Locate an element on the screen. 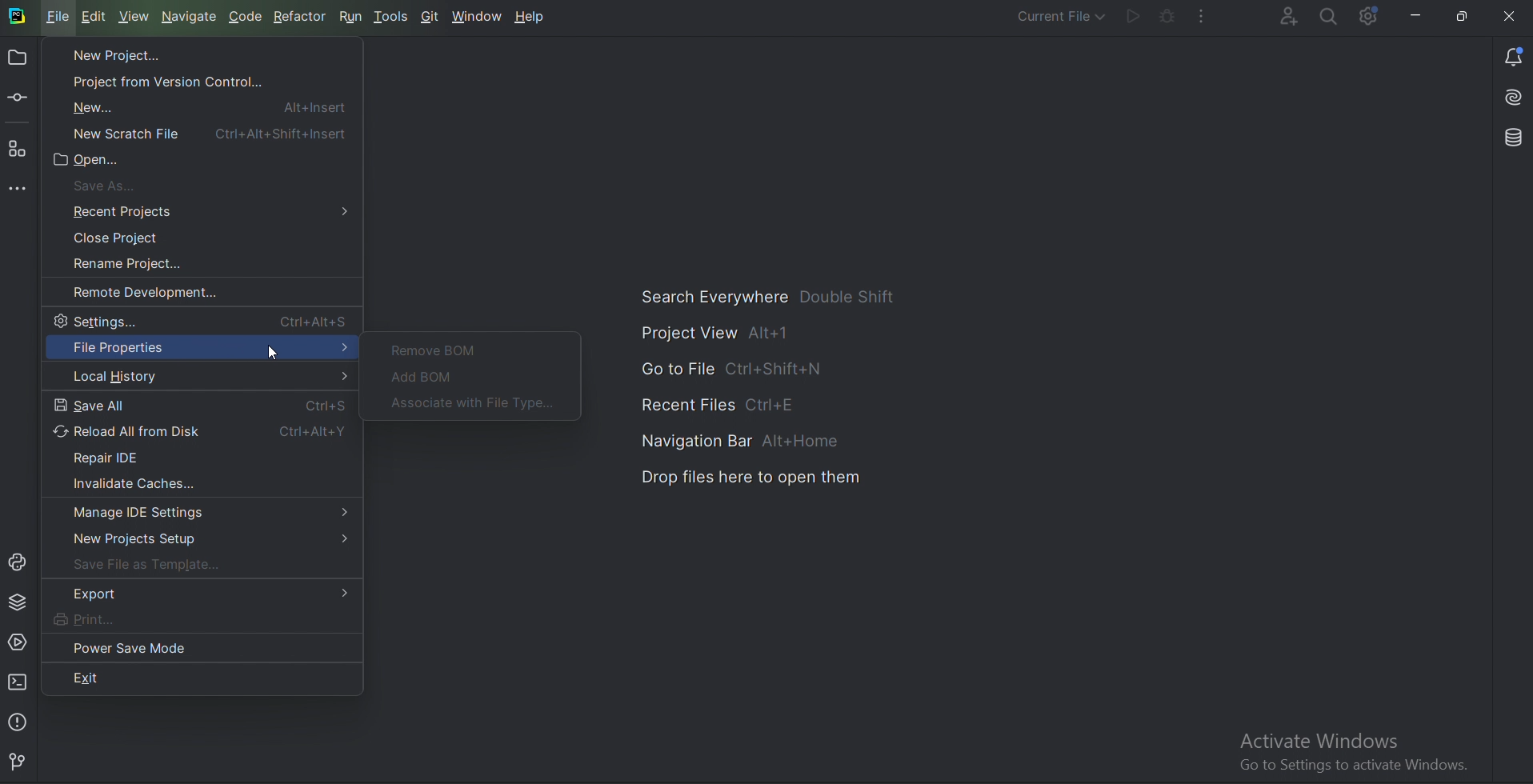  View is located at coordinates (134, 17).